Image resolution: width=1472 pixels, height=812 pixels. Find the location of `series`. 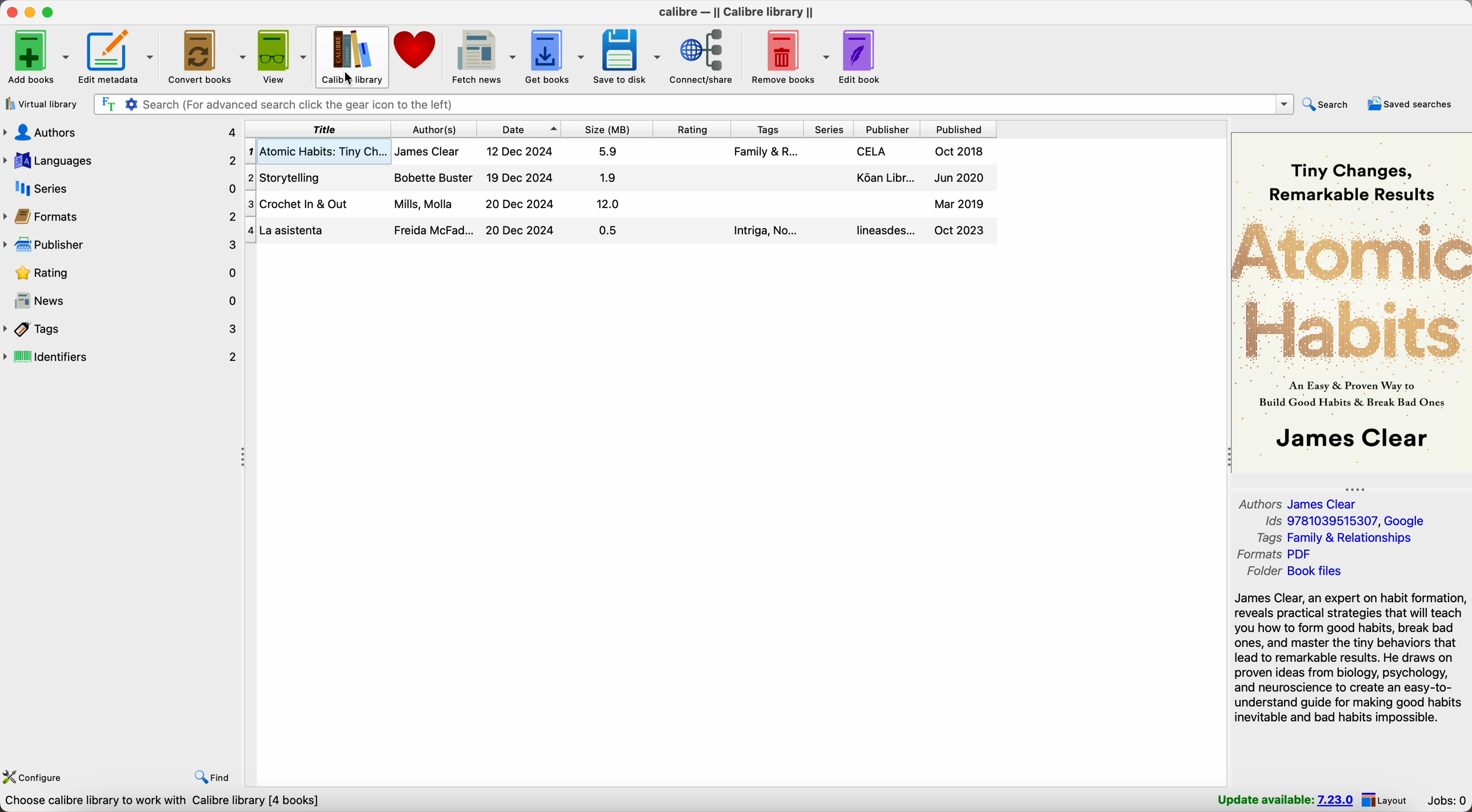

series is located at coordinates (829, 130).